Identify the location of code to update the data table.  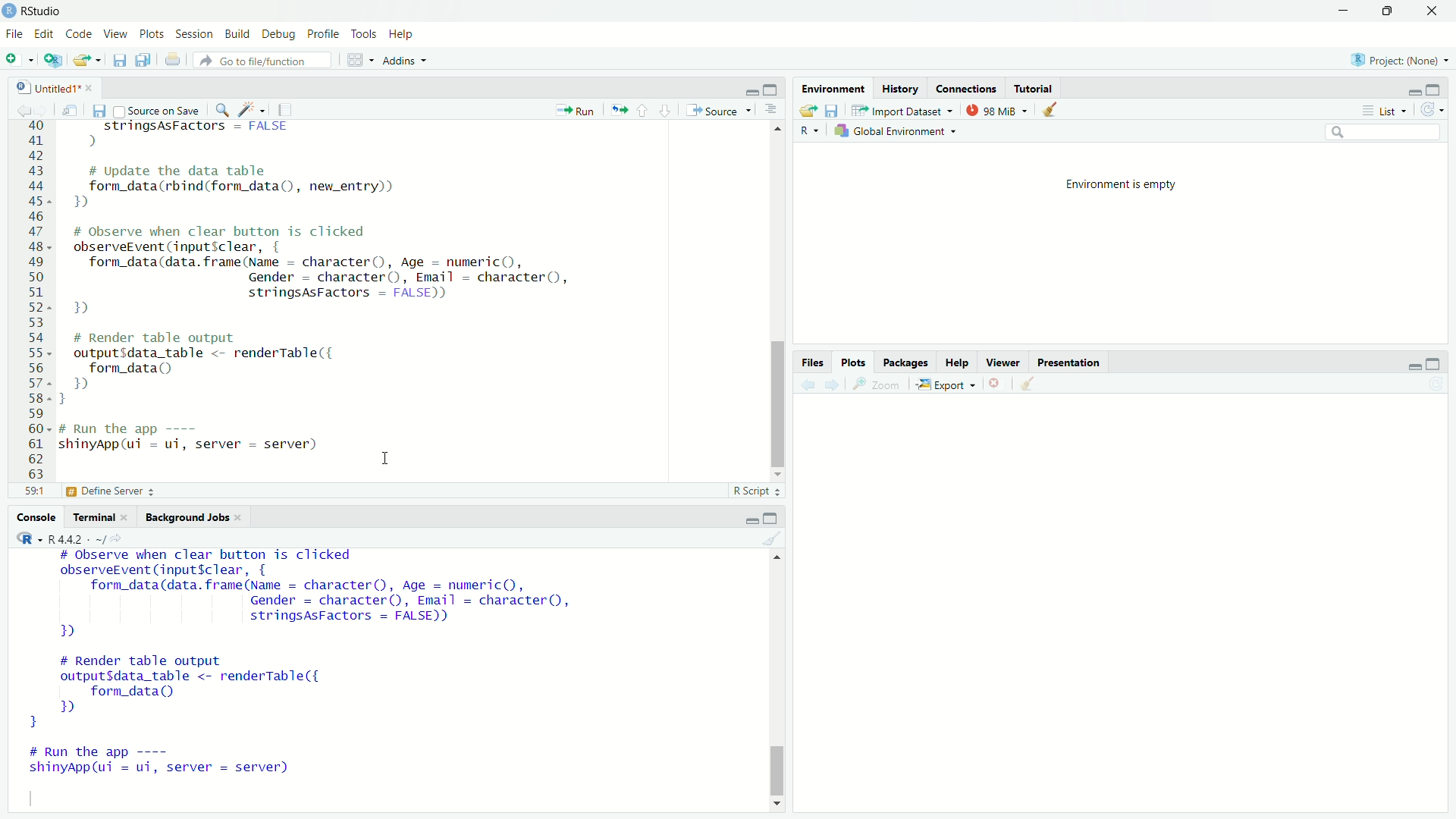
(241, 188).